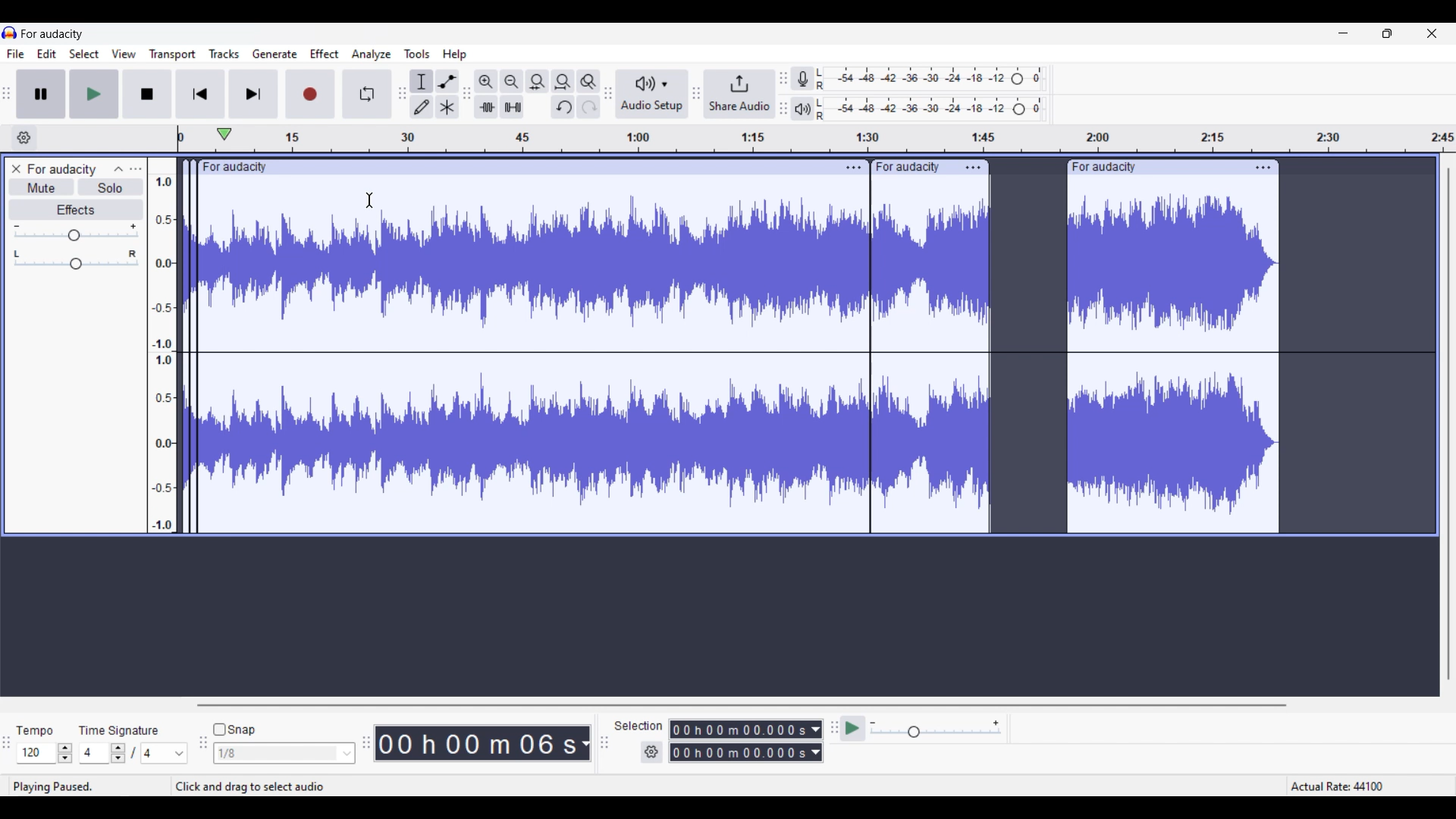  What do you see at coordinates (38, 188) in the screenshot?
I see `Mute` at bounding box center [38, 188].